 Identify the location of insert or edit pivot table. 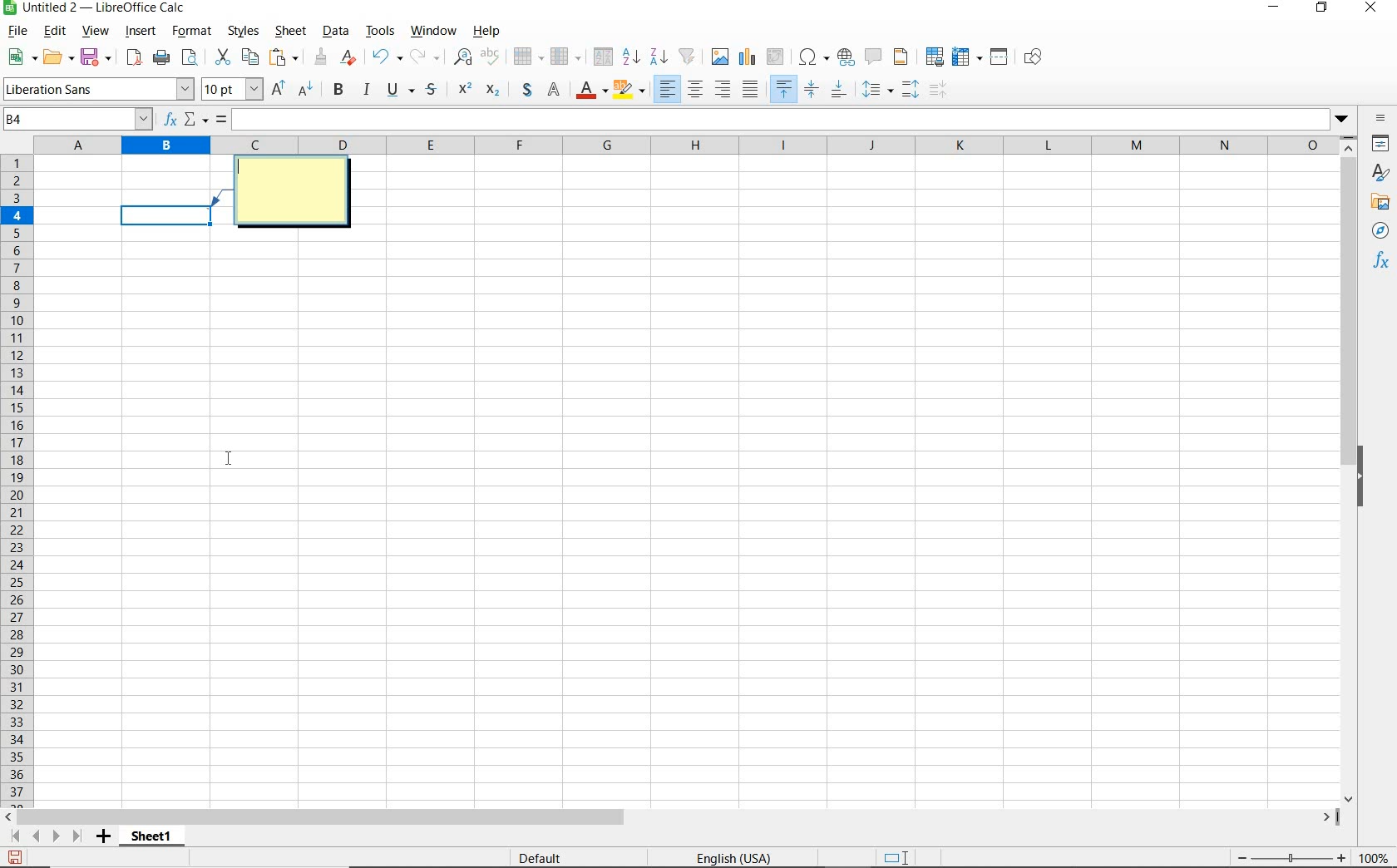
(777, 57).